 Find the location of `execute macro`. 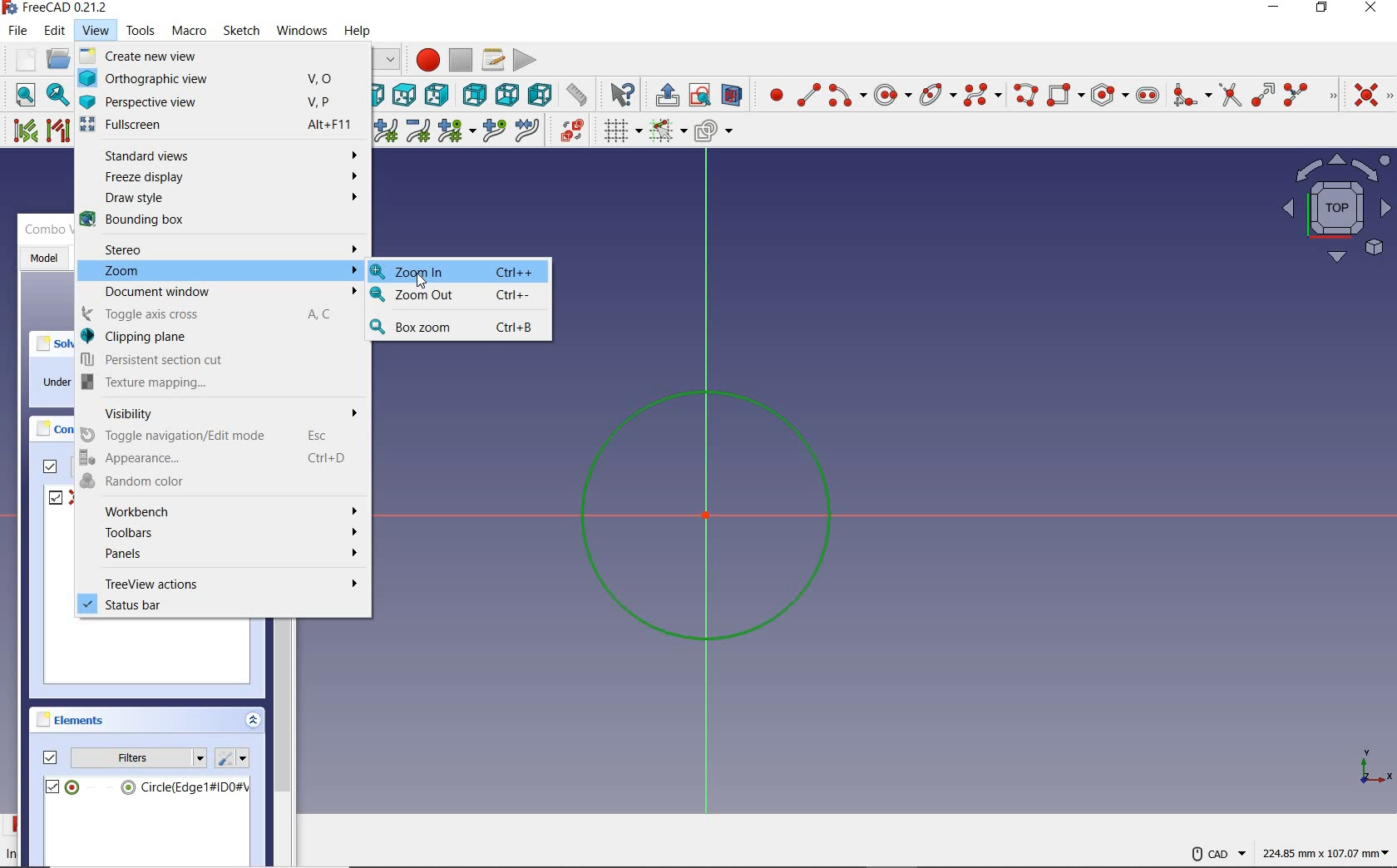

execute macro is located at coordinates (527, 57).